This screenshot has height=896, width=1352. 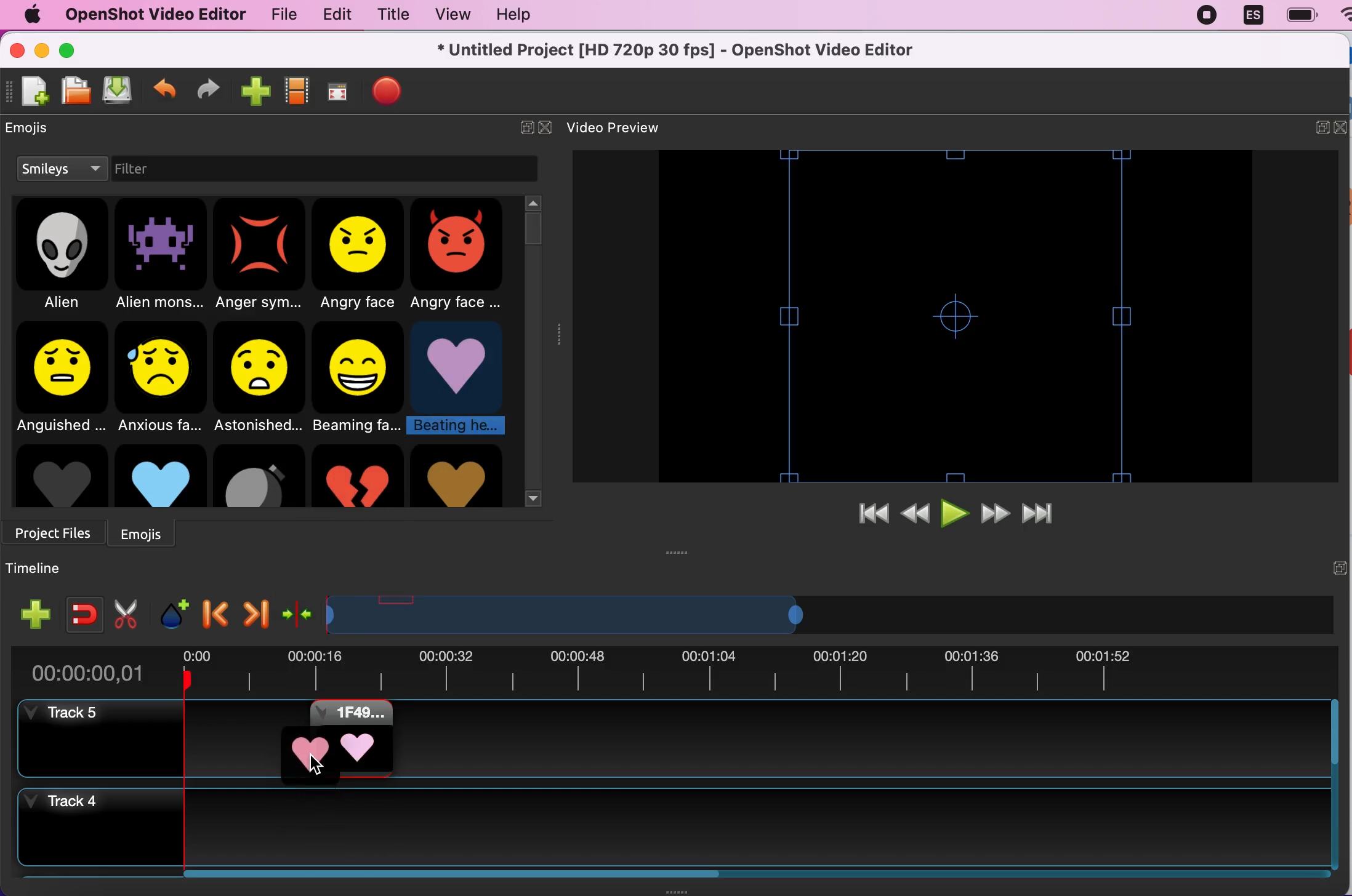 I want to click on Broken heart, so click(x=357, y=476).